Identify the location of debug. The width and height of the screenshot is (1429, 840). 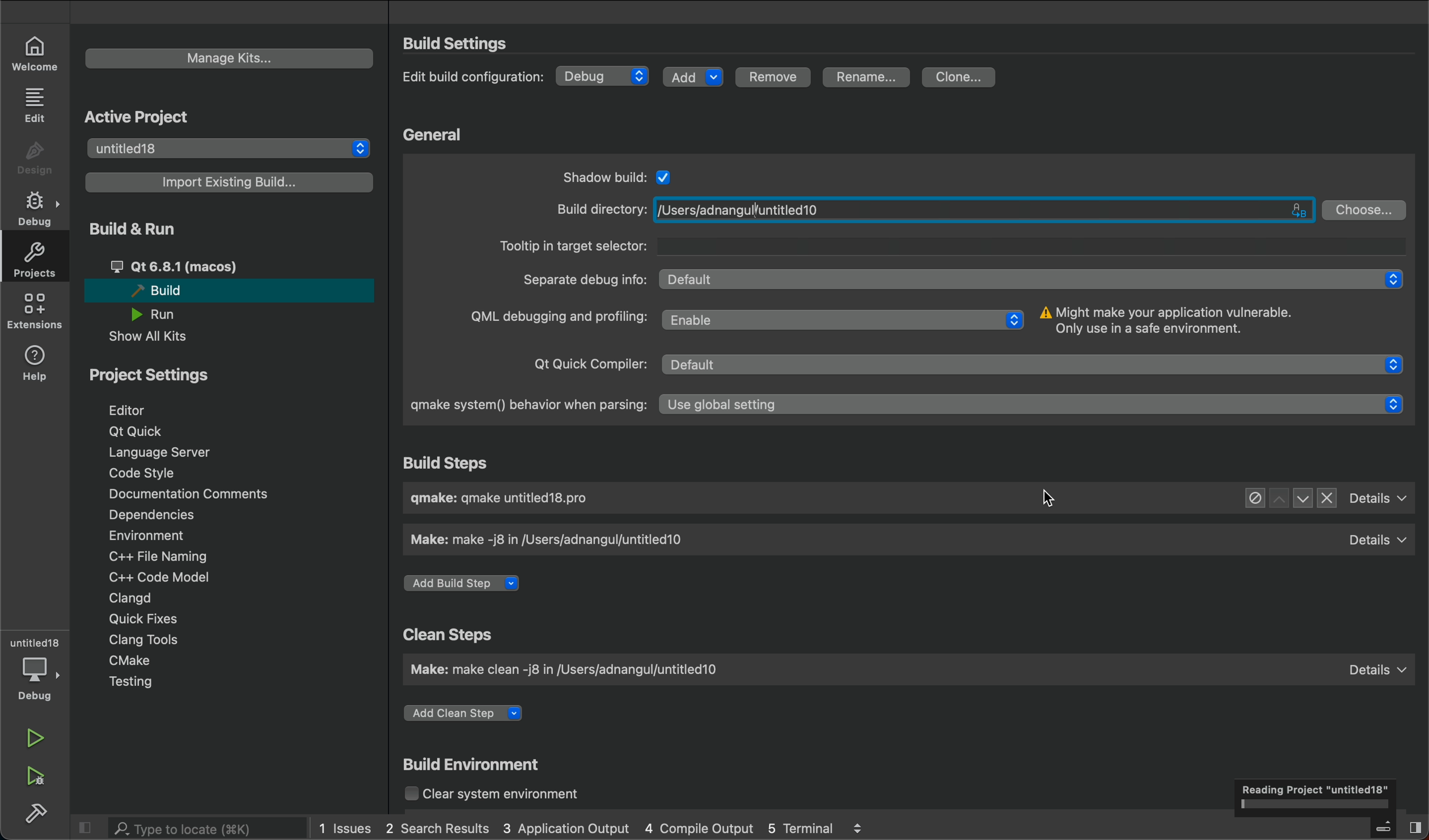
(36, 679).